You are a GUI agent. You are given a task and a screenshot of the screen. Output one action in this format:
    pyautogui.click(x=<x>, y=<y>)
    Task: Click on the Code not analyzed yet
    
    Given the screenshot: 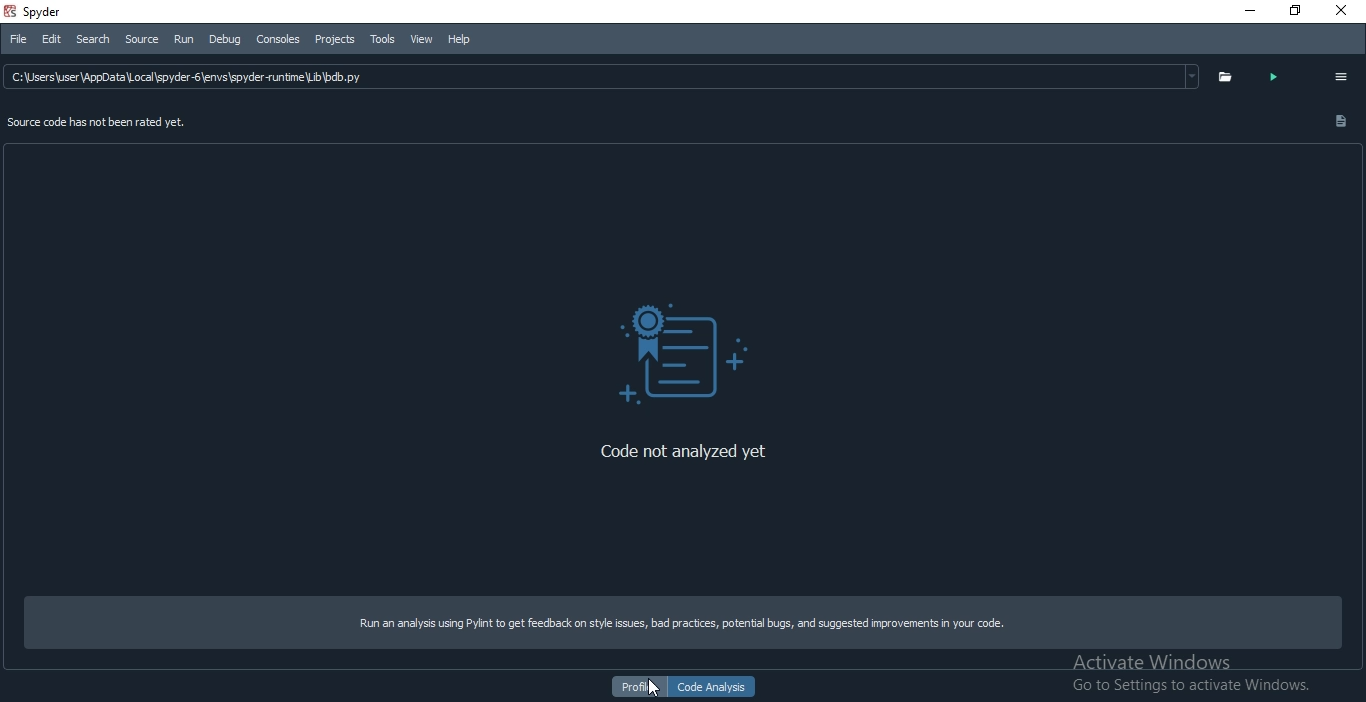 What is the action you would take?
    pyautogui.click(x=676, y=446)
    